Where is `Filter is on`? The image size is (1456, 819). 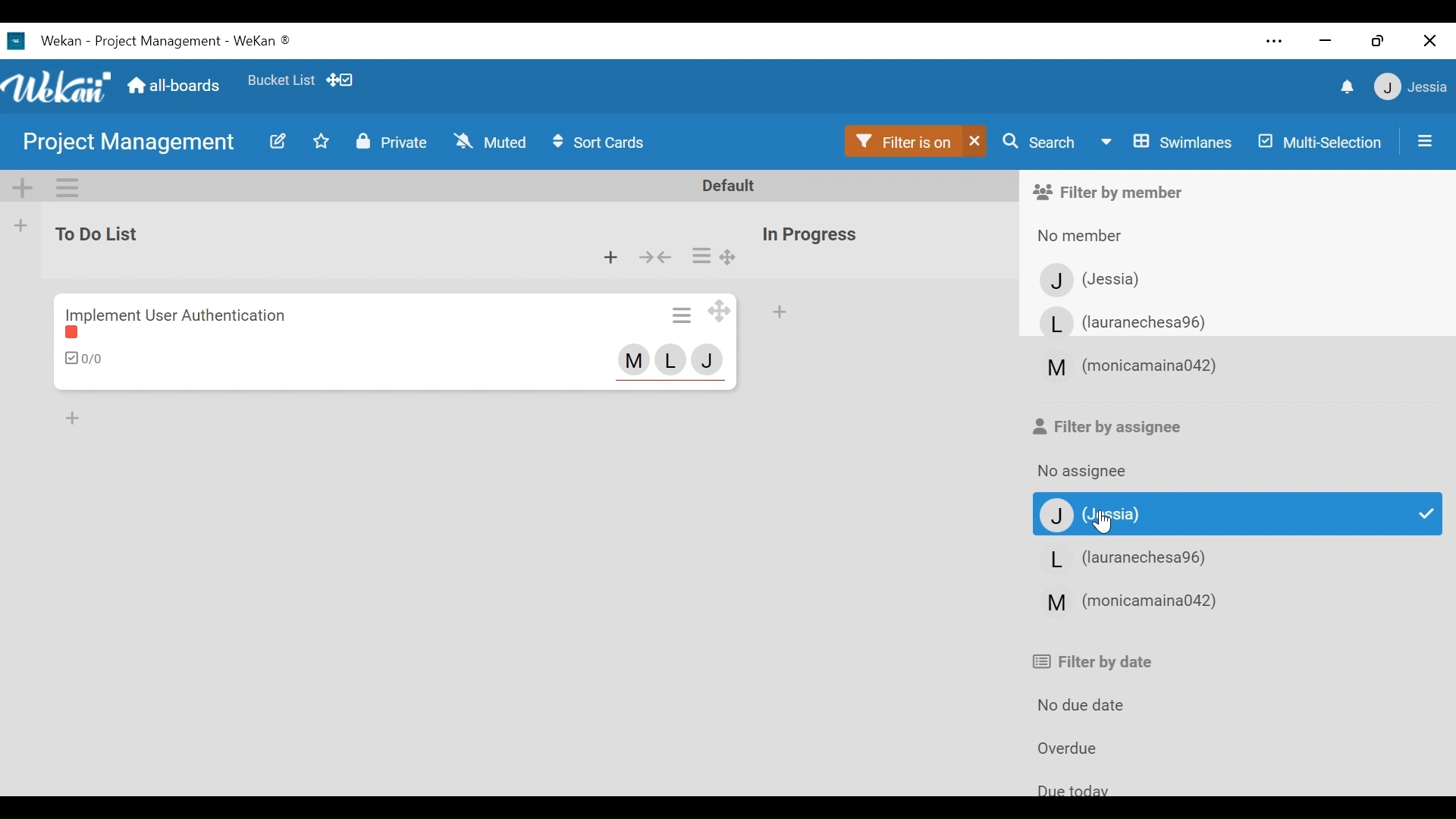
Filter is on is located at coordinates (917, 140).